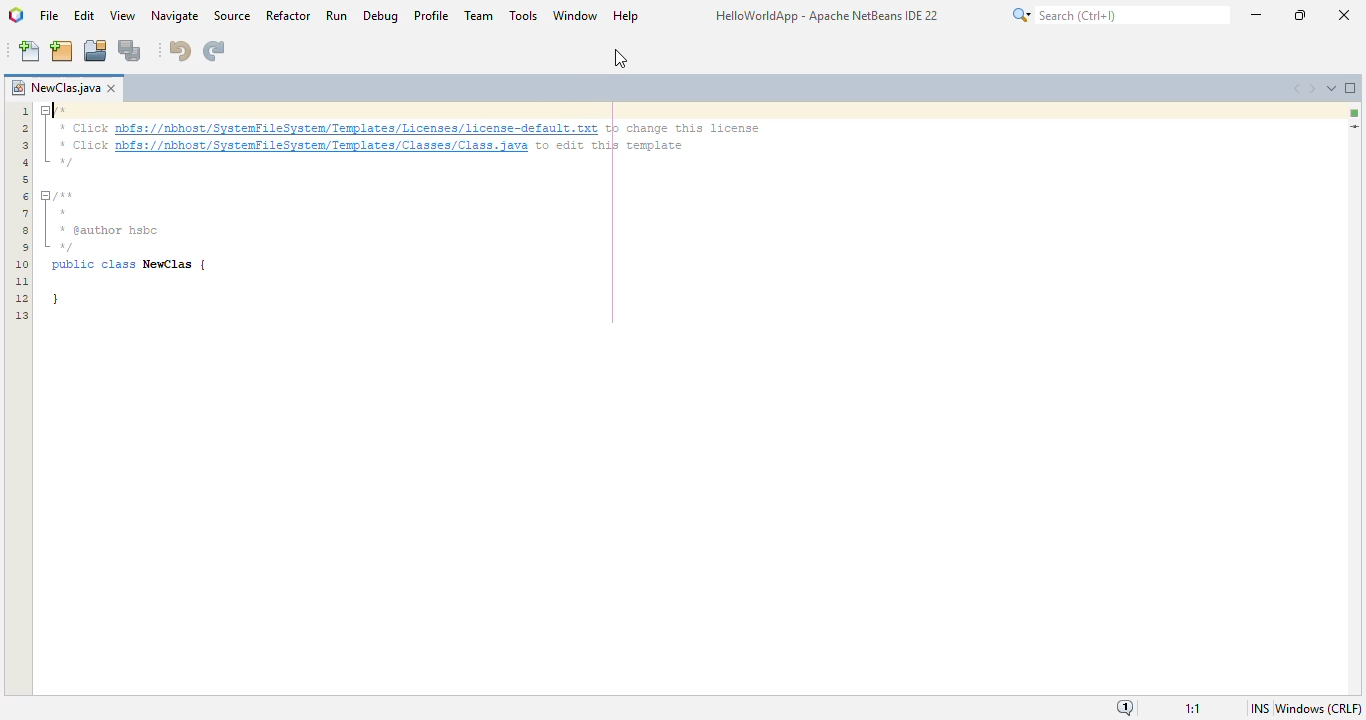 This screenshot has width=1366, height=720. I want to click on debug, so click(382, 15).